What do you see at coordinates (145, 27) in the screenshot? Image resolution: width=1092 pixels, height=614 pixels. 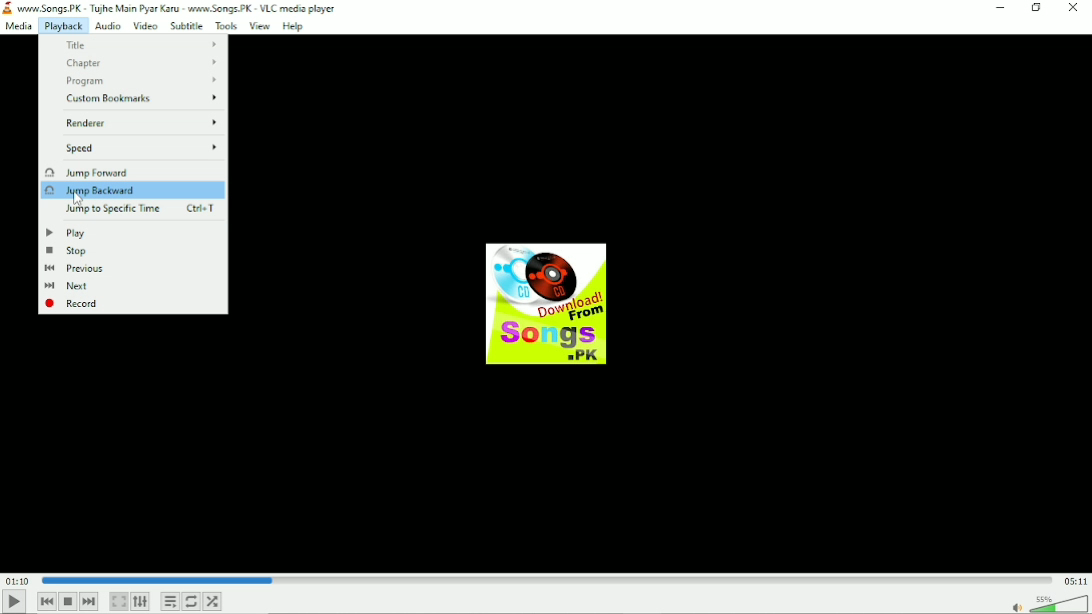 I see `Video` at bounding box center [145, 27].